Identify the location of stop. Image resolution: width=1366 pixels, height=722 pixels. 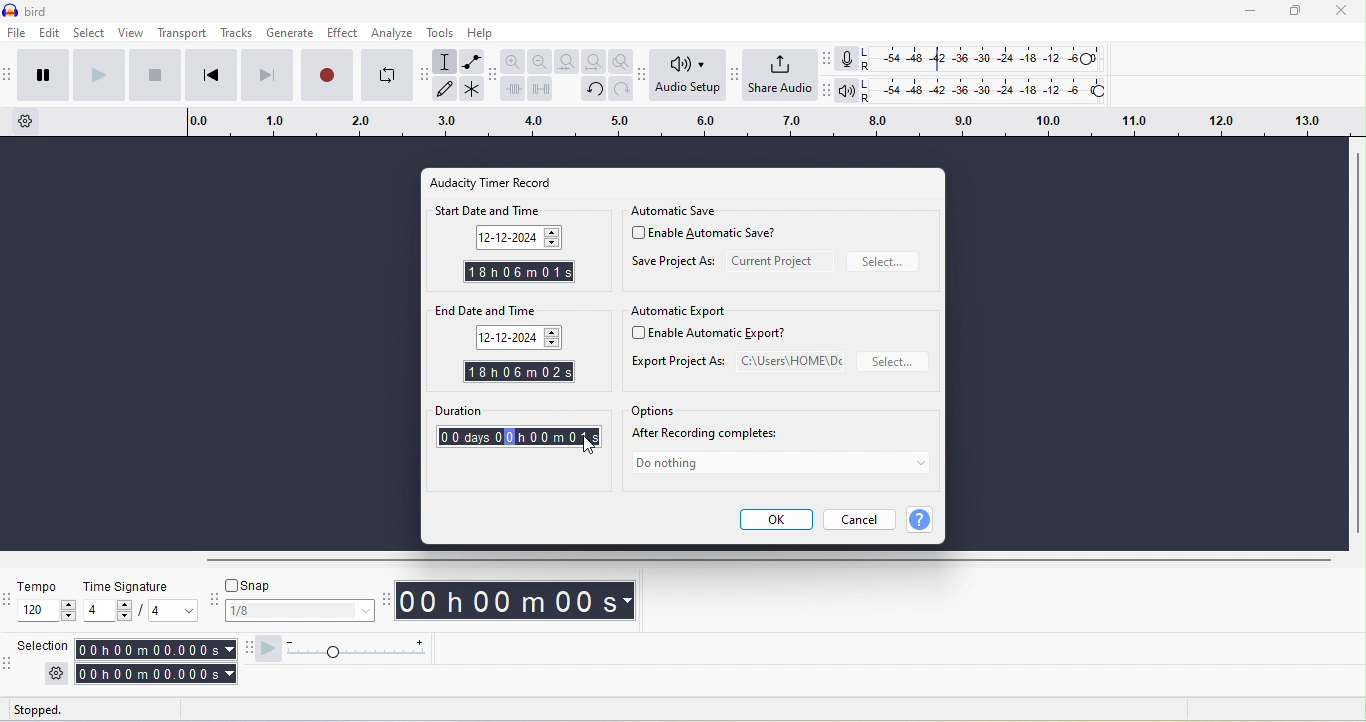
(155, 77).